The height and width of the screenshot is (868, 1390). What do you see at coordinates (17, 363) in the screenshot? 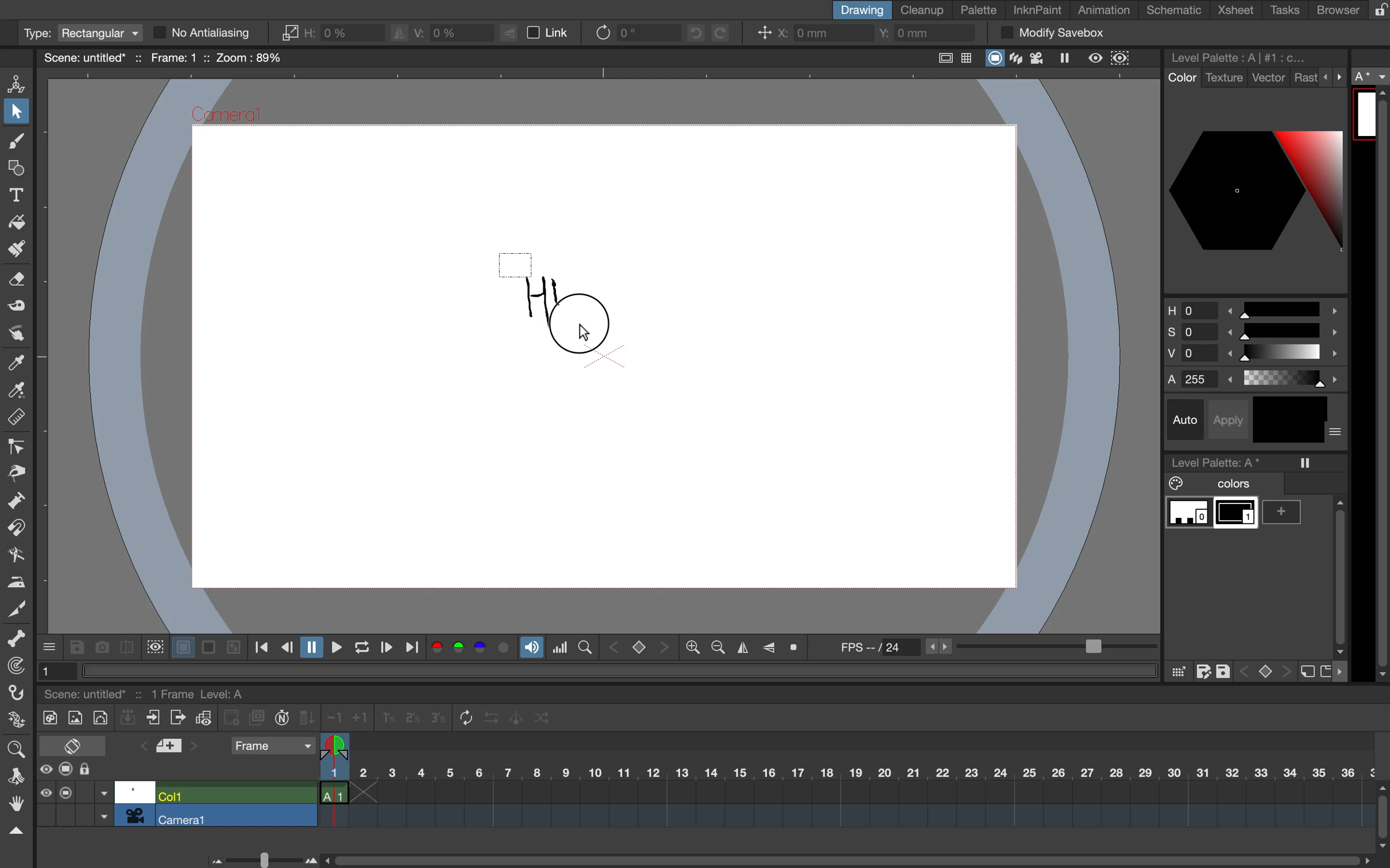
I see `style picker tool` at bounding box center [17, 363].